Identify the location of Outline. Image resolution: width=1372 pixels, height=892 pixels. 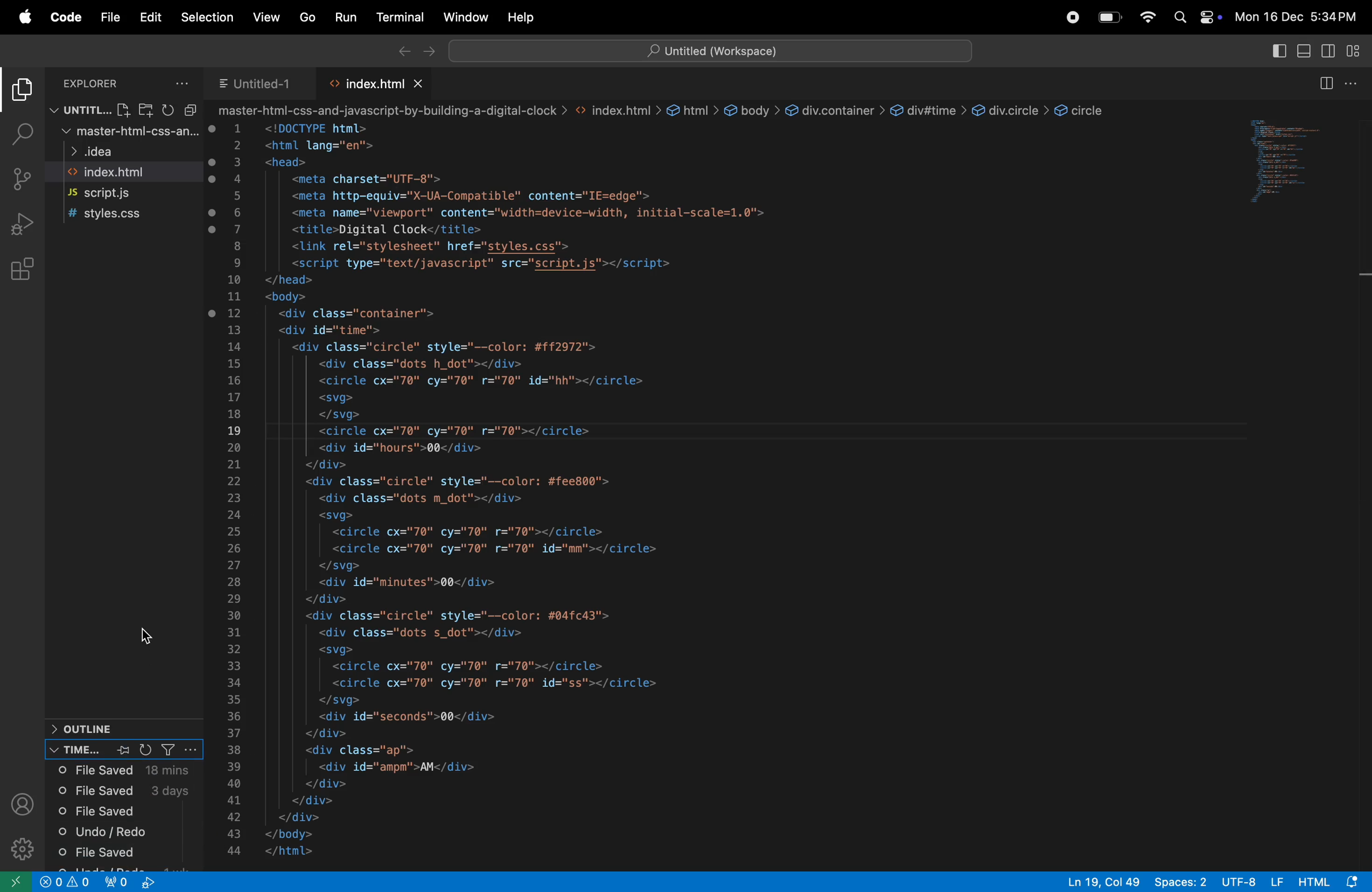
(119, 728).